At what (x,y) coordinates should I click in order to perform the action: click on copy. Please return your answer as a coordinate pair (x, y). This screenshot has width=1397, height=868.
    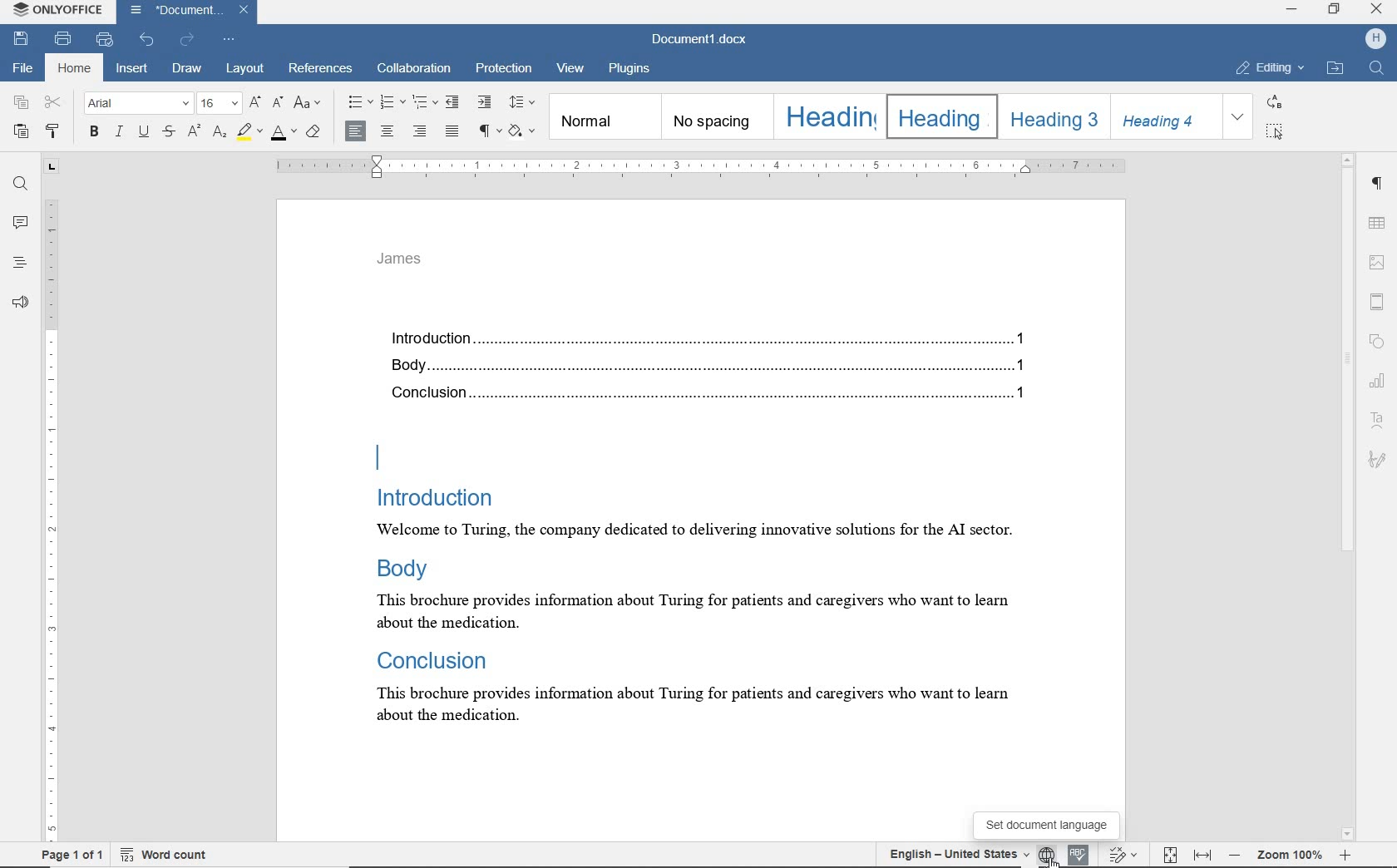
    Looking at the image, I should click on (22, 103).